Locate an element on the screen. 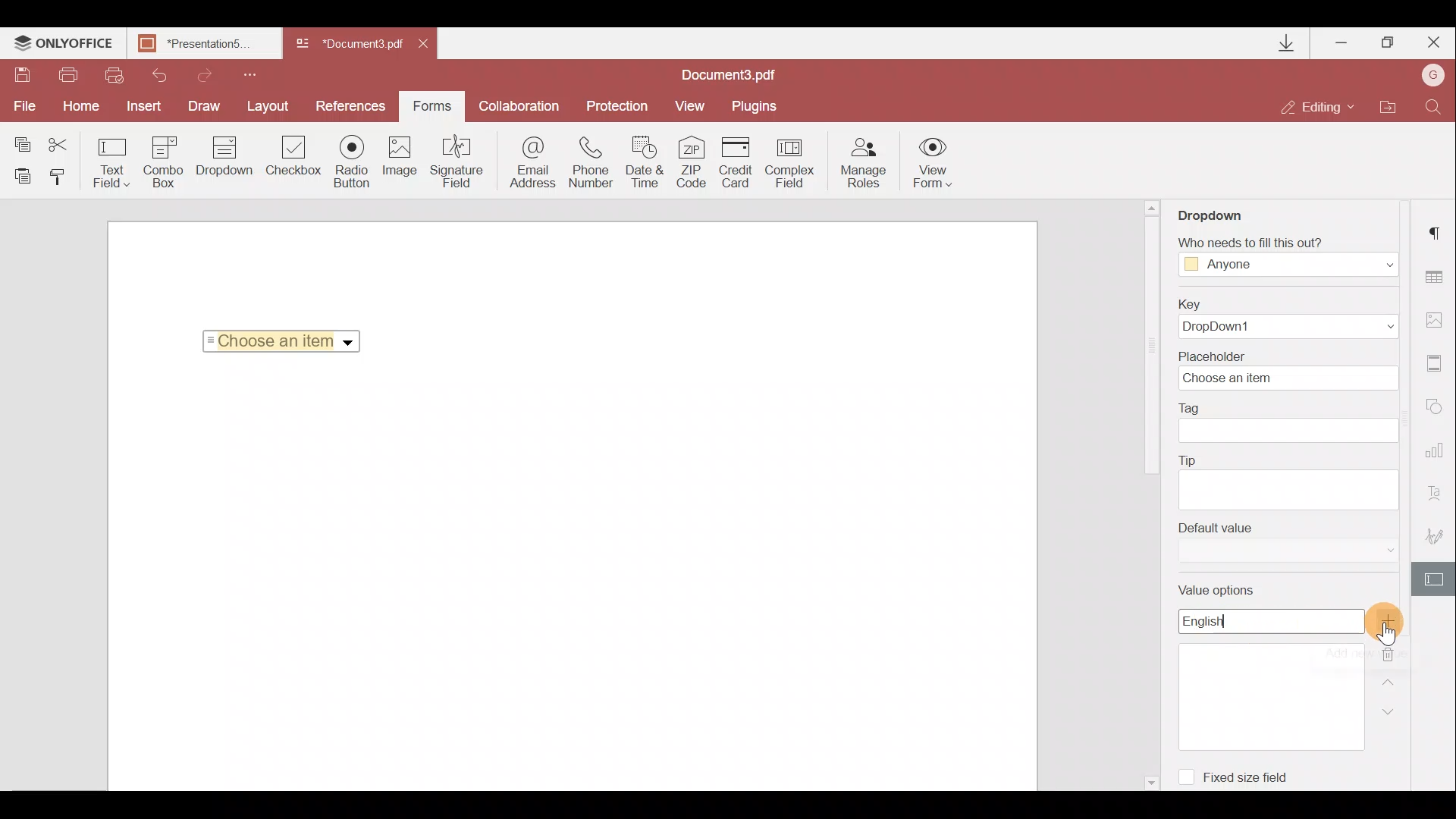 The width and height of the screenshot is (1456, 819). Downloads is located at coordinates (1288, 43).